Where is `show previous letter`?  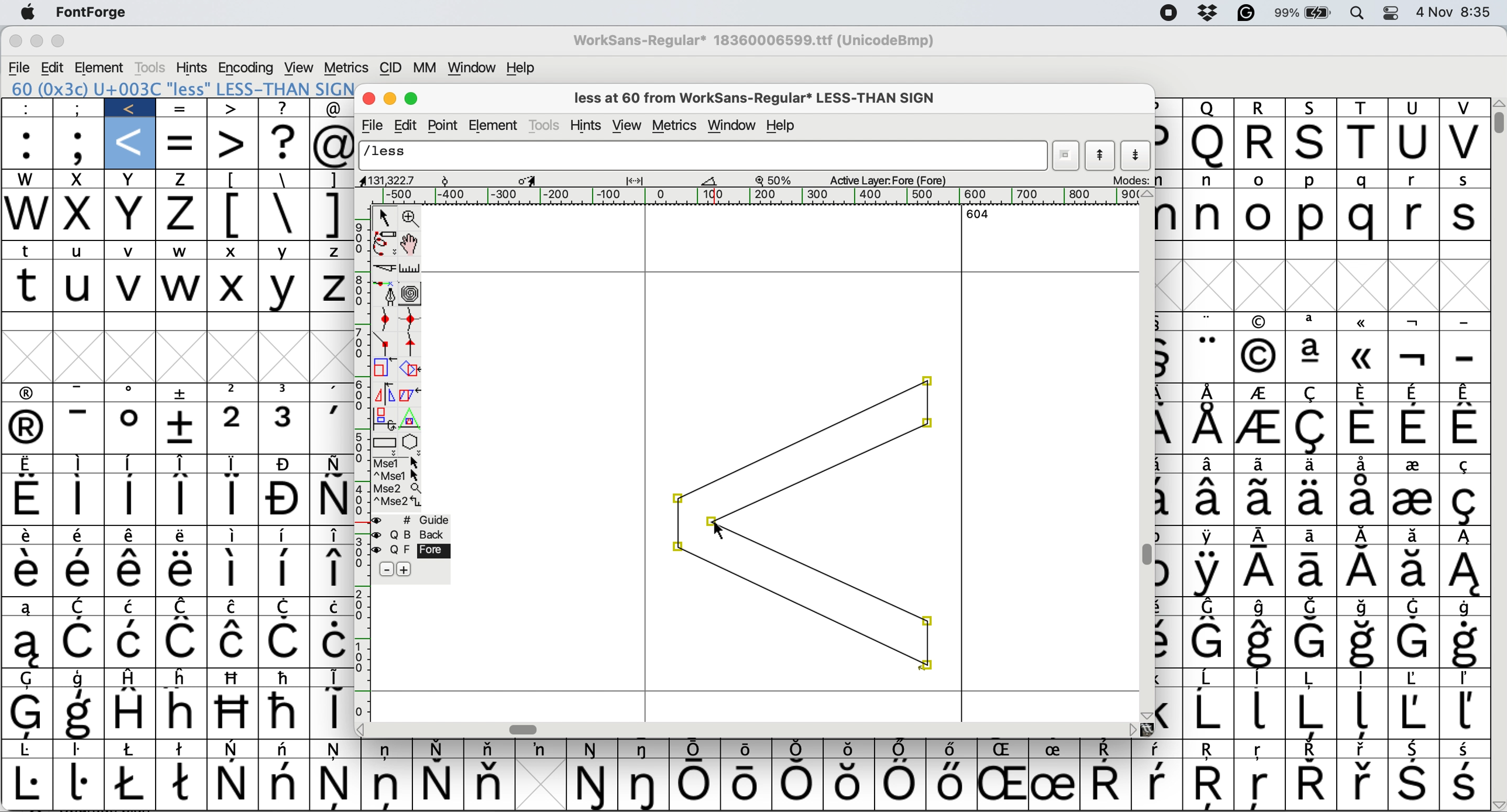 show previous letter is located at coordinates (1101, 156).